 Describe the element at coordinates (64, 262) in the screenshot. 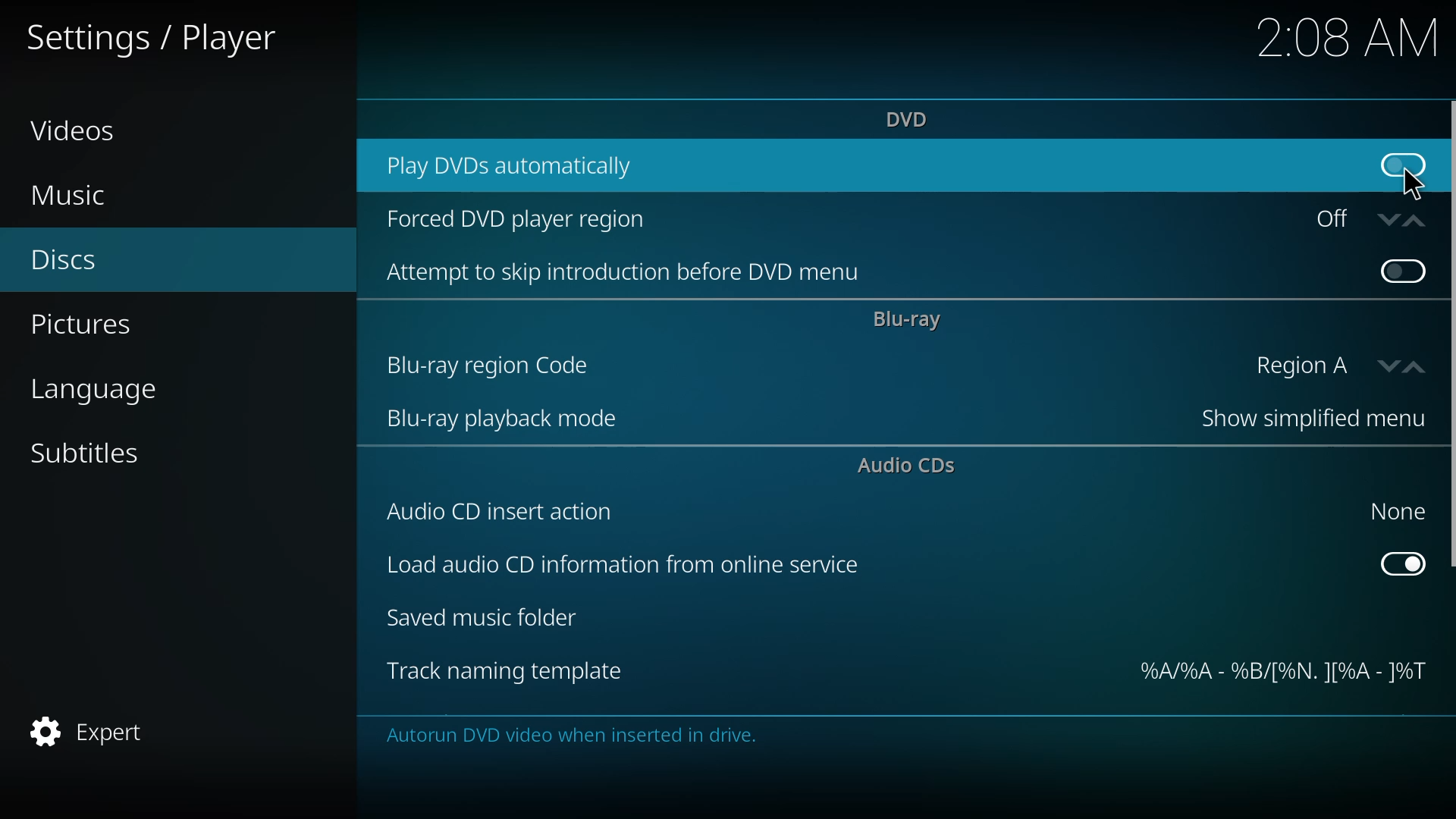

I see `discs` at that location.